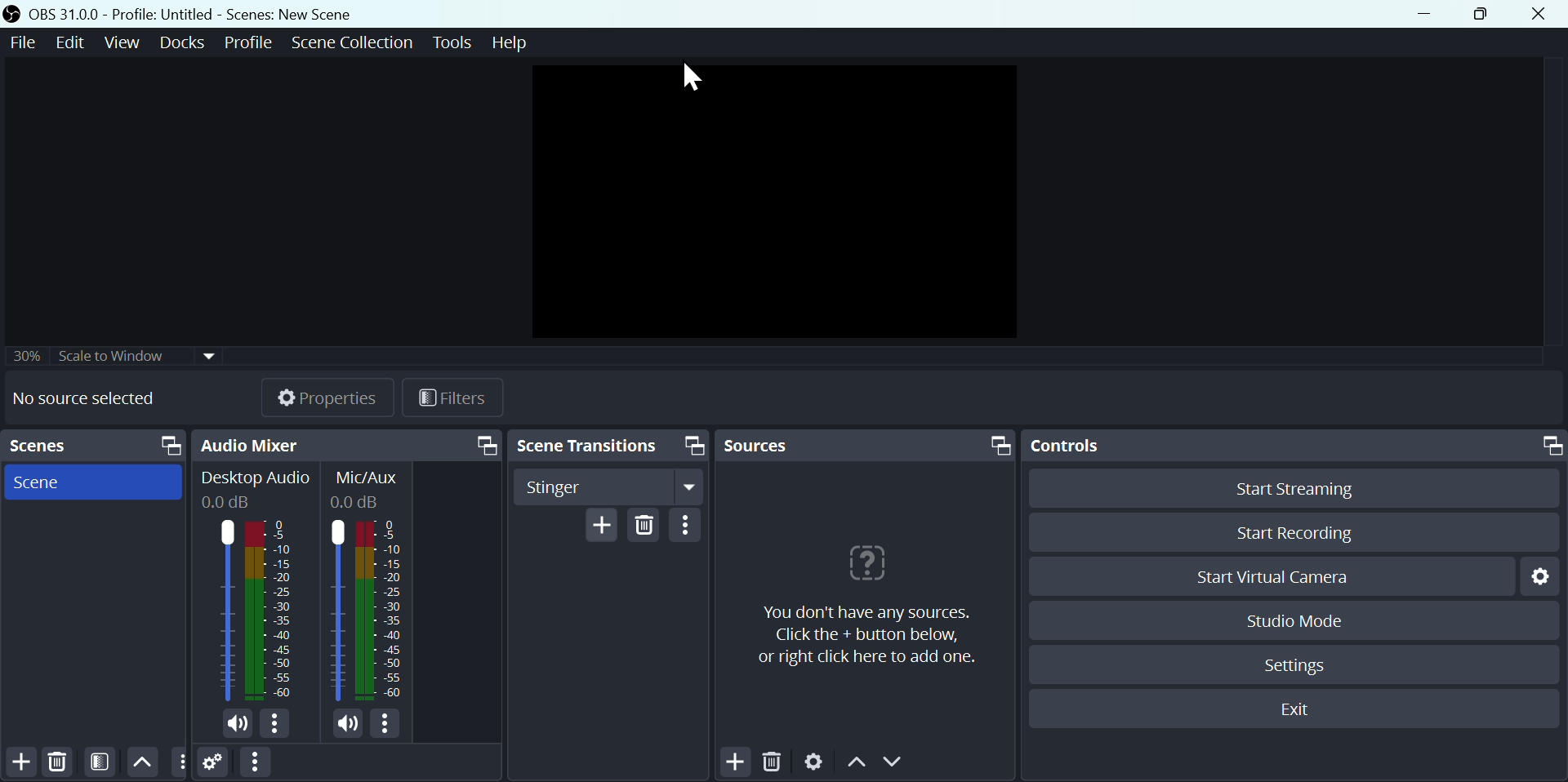  What do you see at coordinates (278, 725) in the screenshot?
I see `more options` at bounding box center [278, 725].